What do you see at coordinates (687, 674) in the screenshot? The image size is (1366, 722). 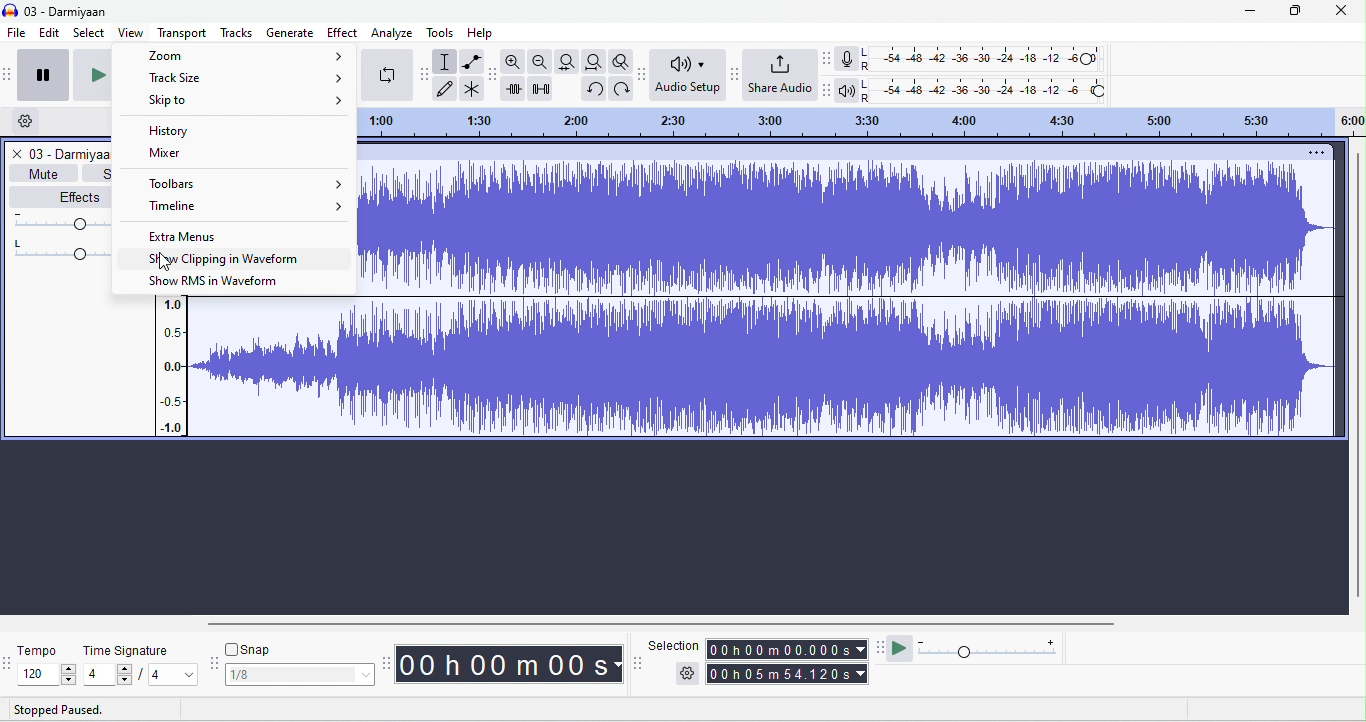 I see `selection options` at bounding box center [687, 674].